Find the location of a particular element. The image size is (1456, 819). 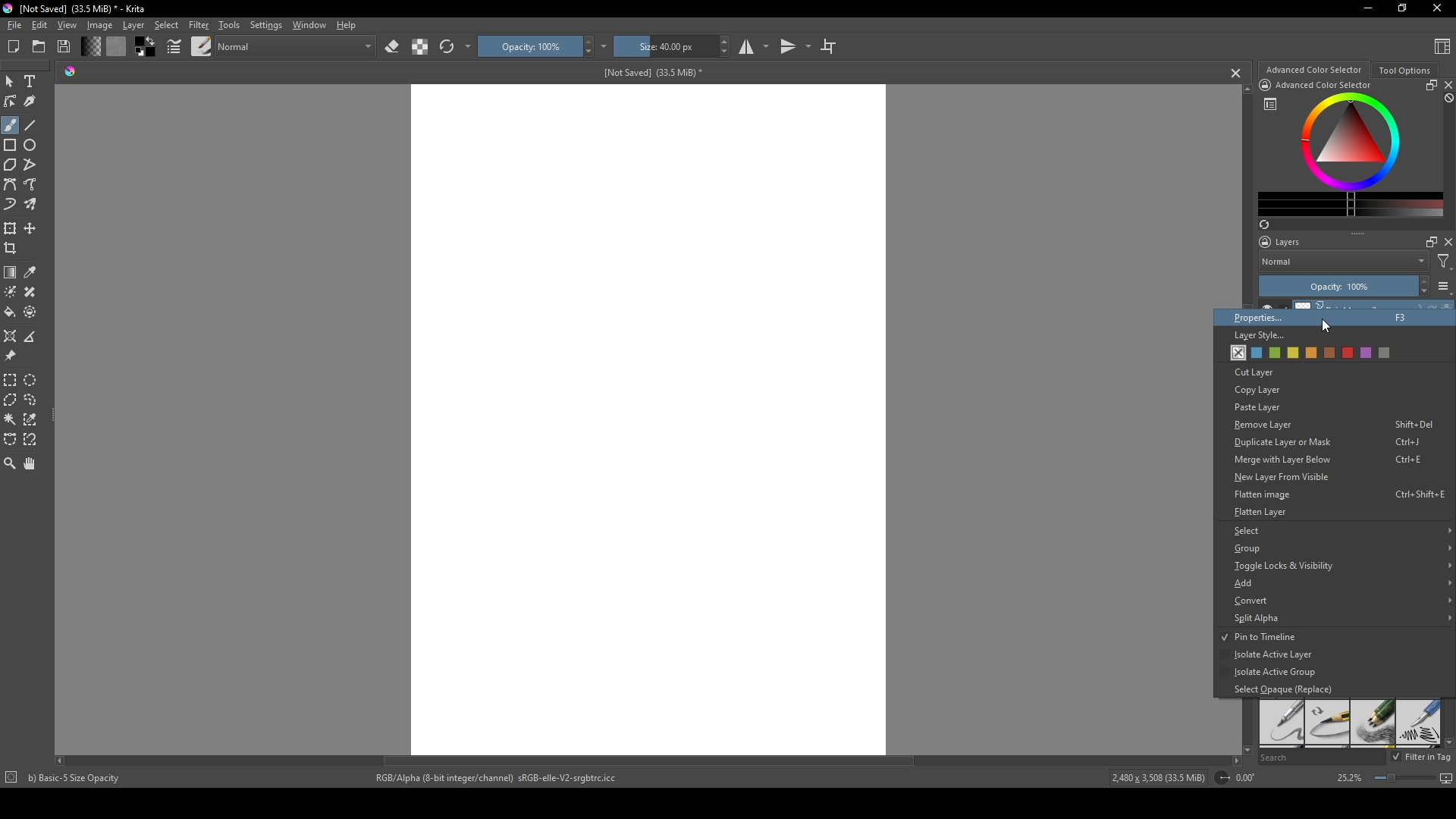

green is located at coordinates (1272, 353).